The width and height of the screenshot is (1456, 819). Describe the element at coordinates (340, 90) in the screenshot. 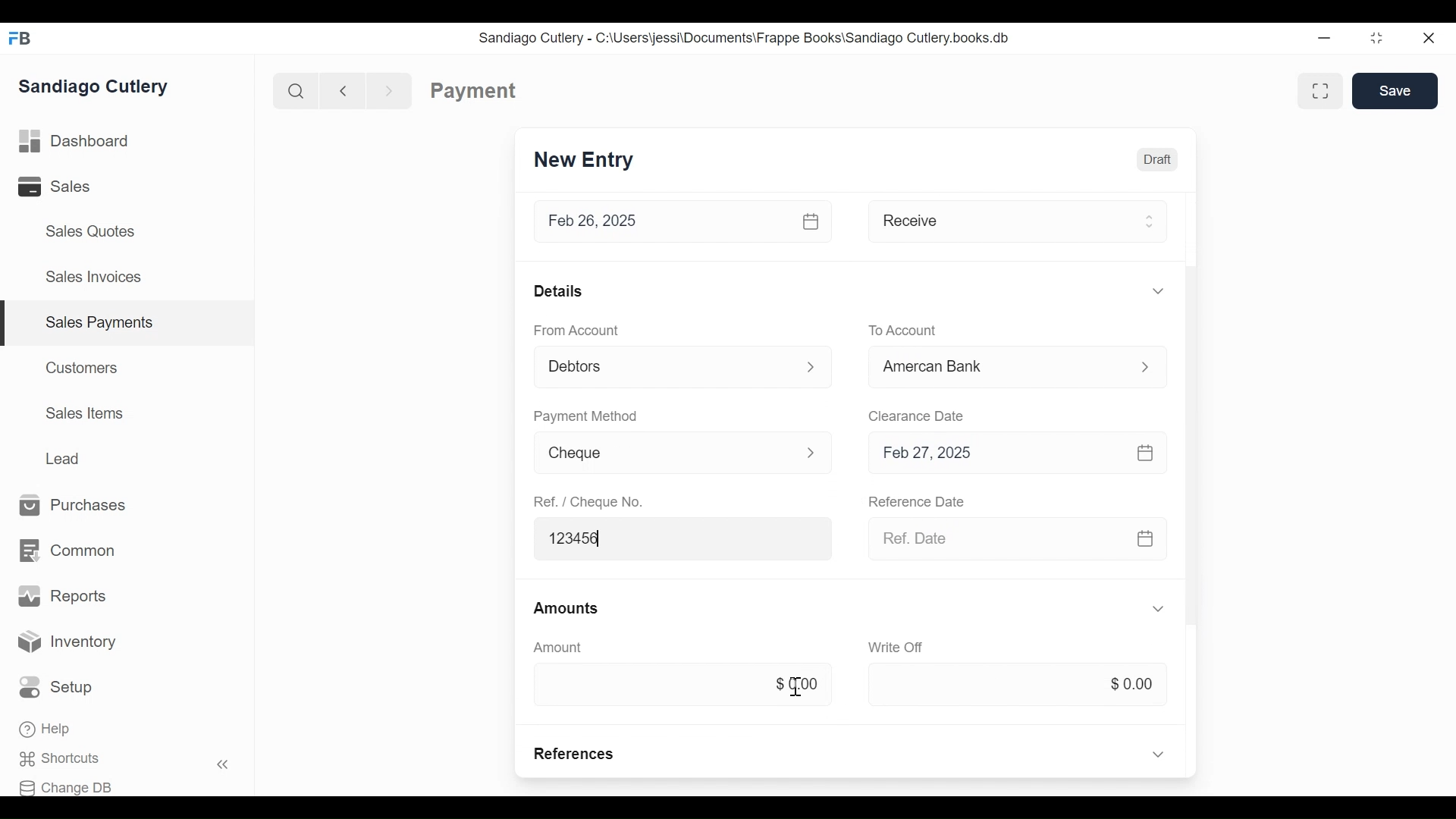

I see `Navigate Back` at that location.